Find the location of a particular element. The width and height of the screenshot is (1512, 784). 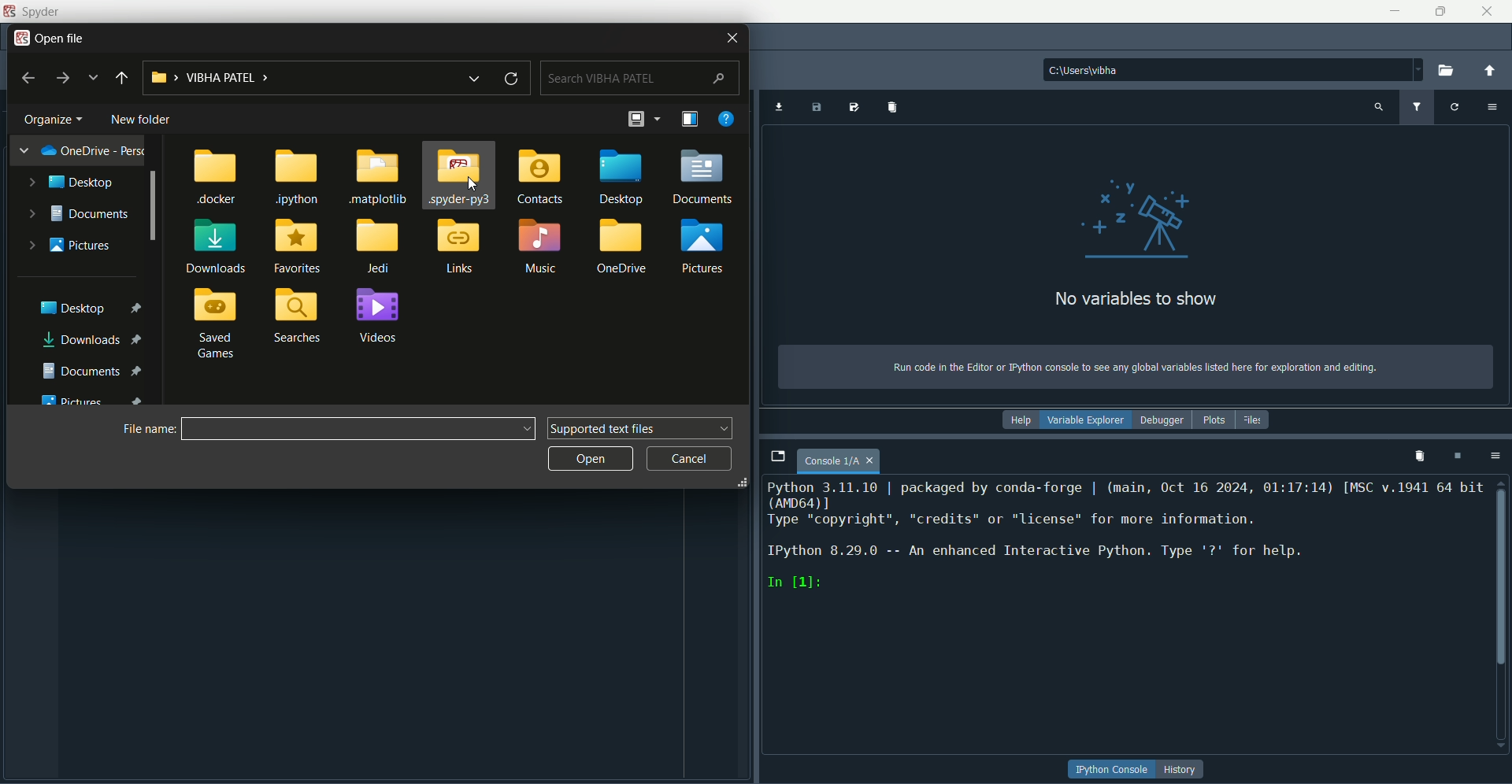

save data as is located at coordinates (853, 107).